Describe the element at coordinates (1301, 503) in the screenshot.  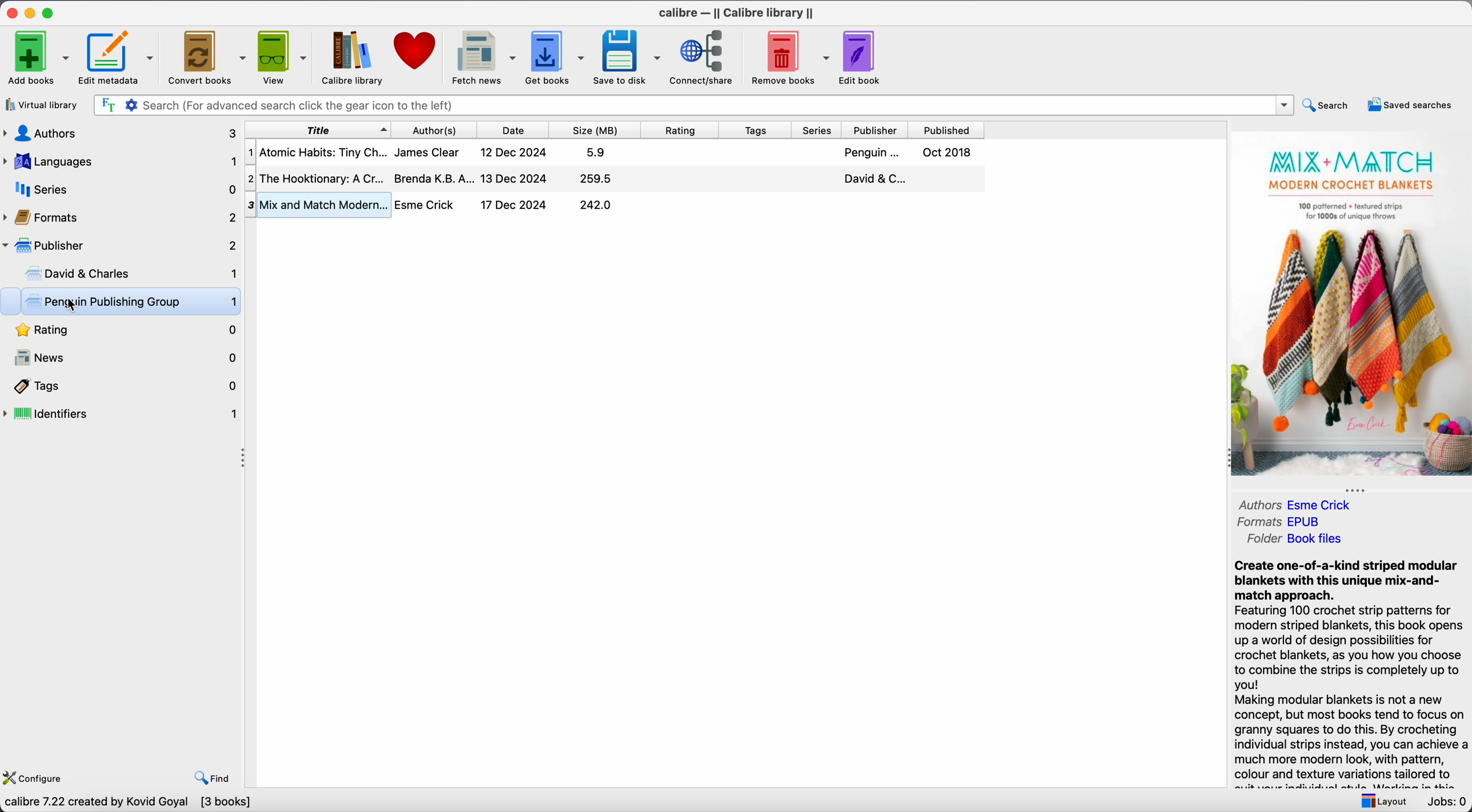
I see `Authors Esme Crick` at that location.